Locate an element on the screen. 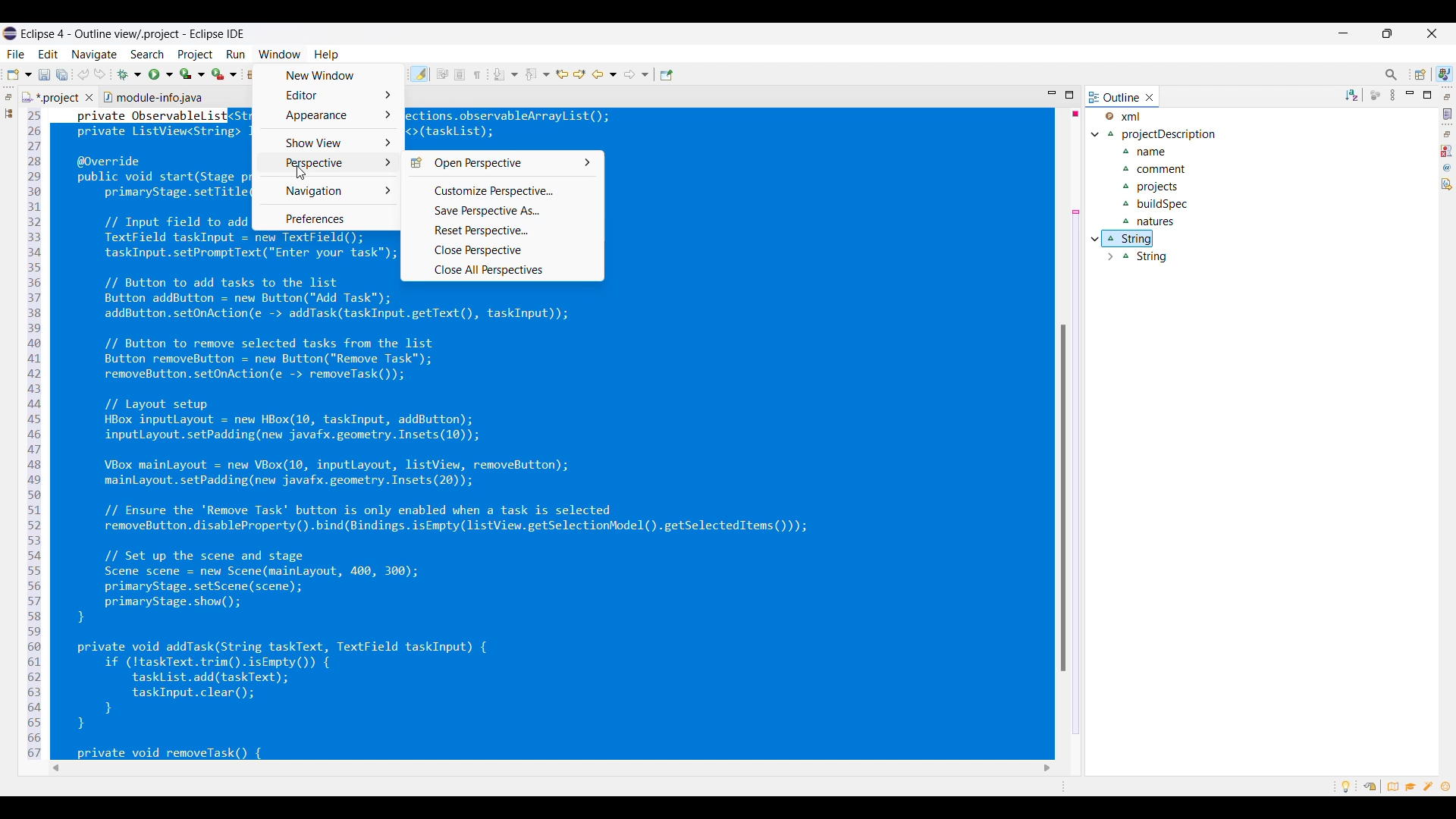  Close perspective is located at coordinates (502, 250).